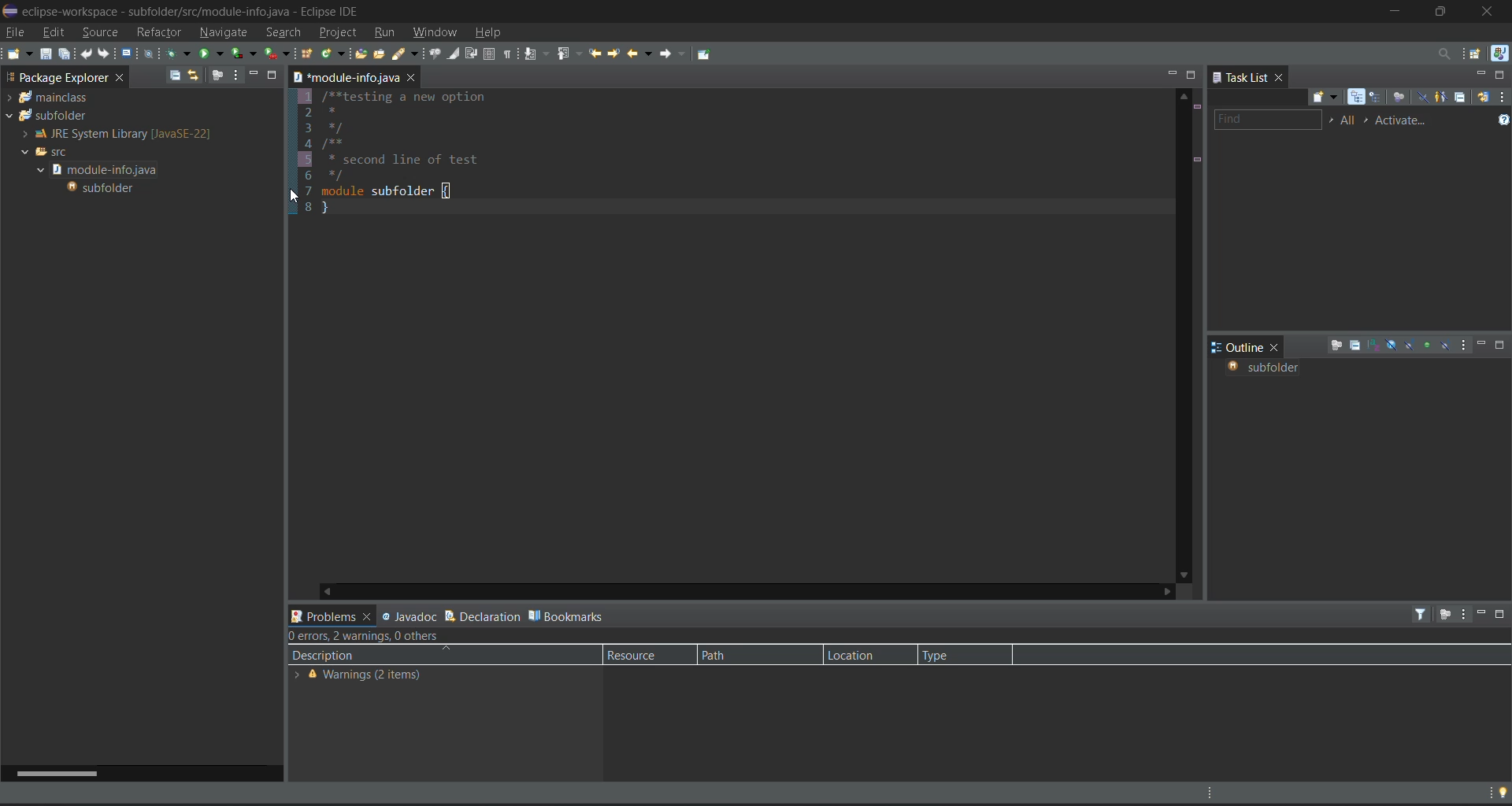  Describe the element at coordinates (1241, 78) in the screenshot. I see `task list` at that location.